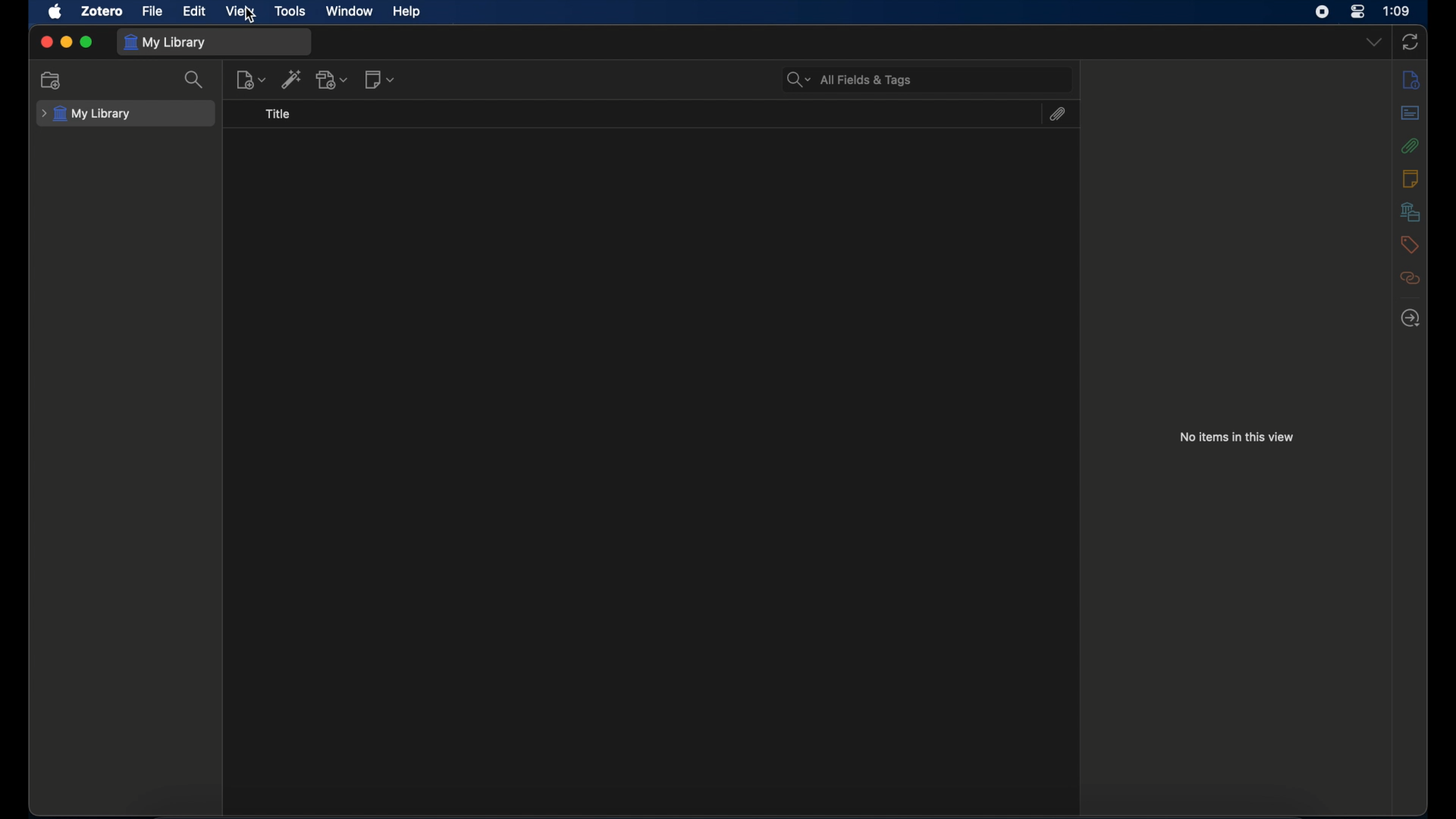 The height and width of the screenshot is (819, 1456). I want to click on minimize, so click(67, 42).